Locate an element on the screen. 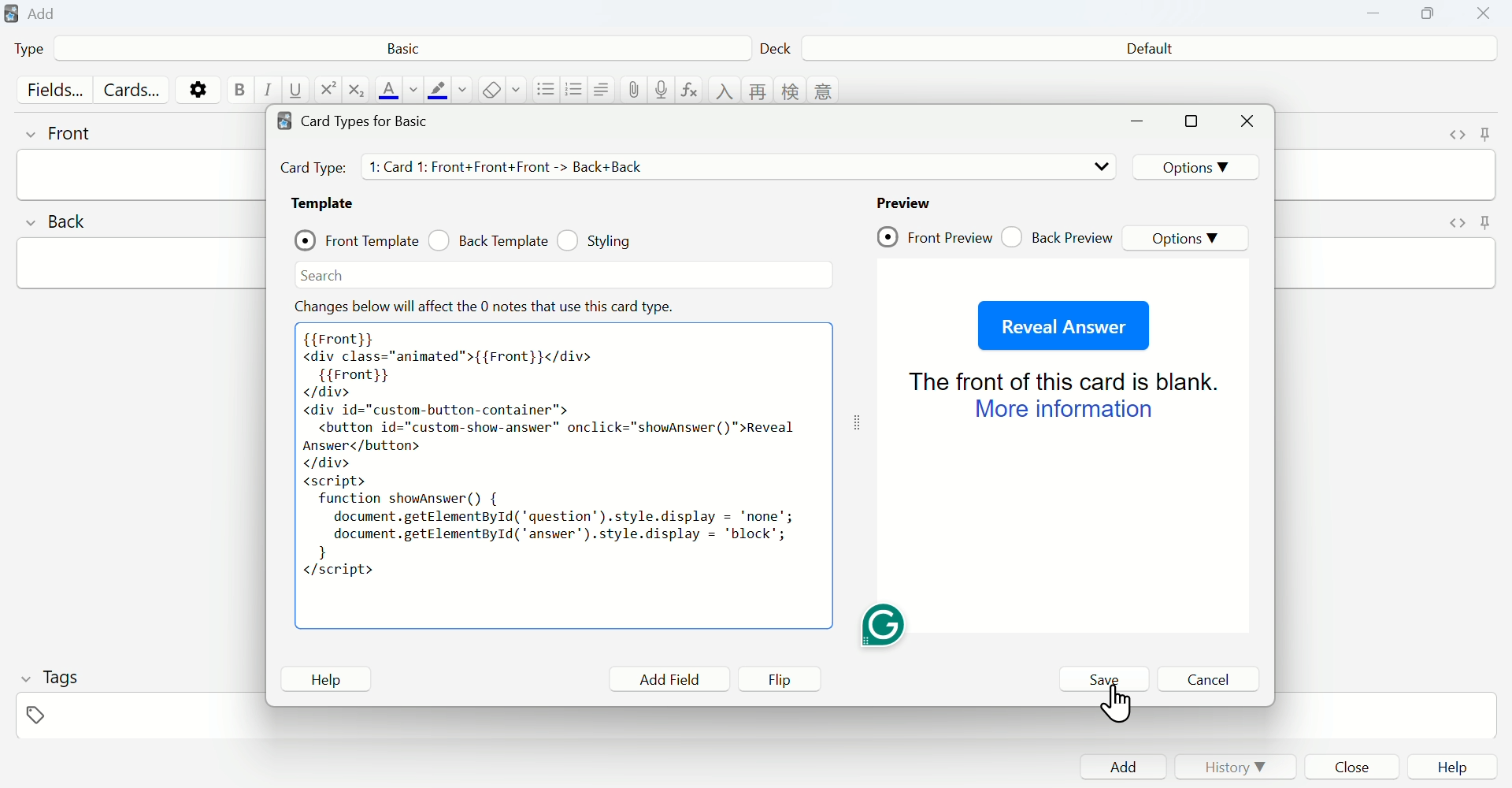  Effect note is located at coordinates (487, 305).